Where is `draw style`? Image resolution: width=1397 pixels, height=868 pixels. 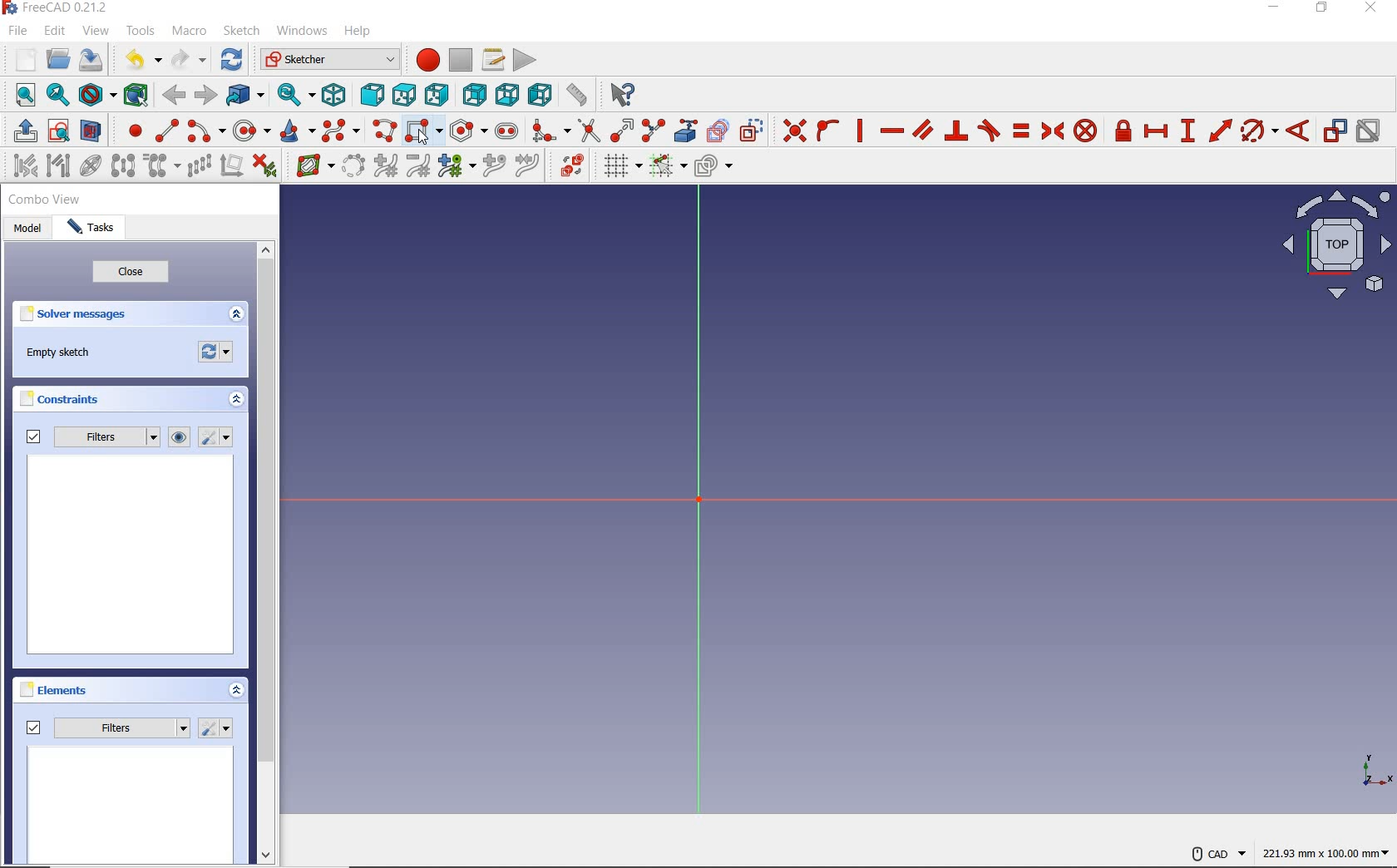 draw style is located at coordinates (96, 96).